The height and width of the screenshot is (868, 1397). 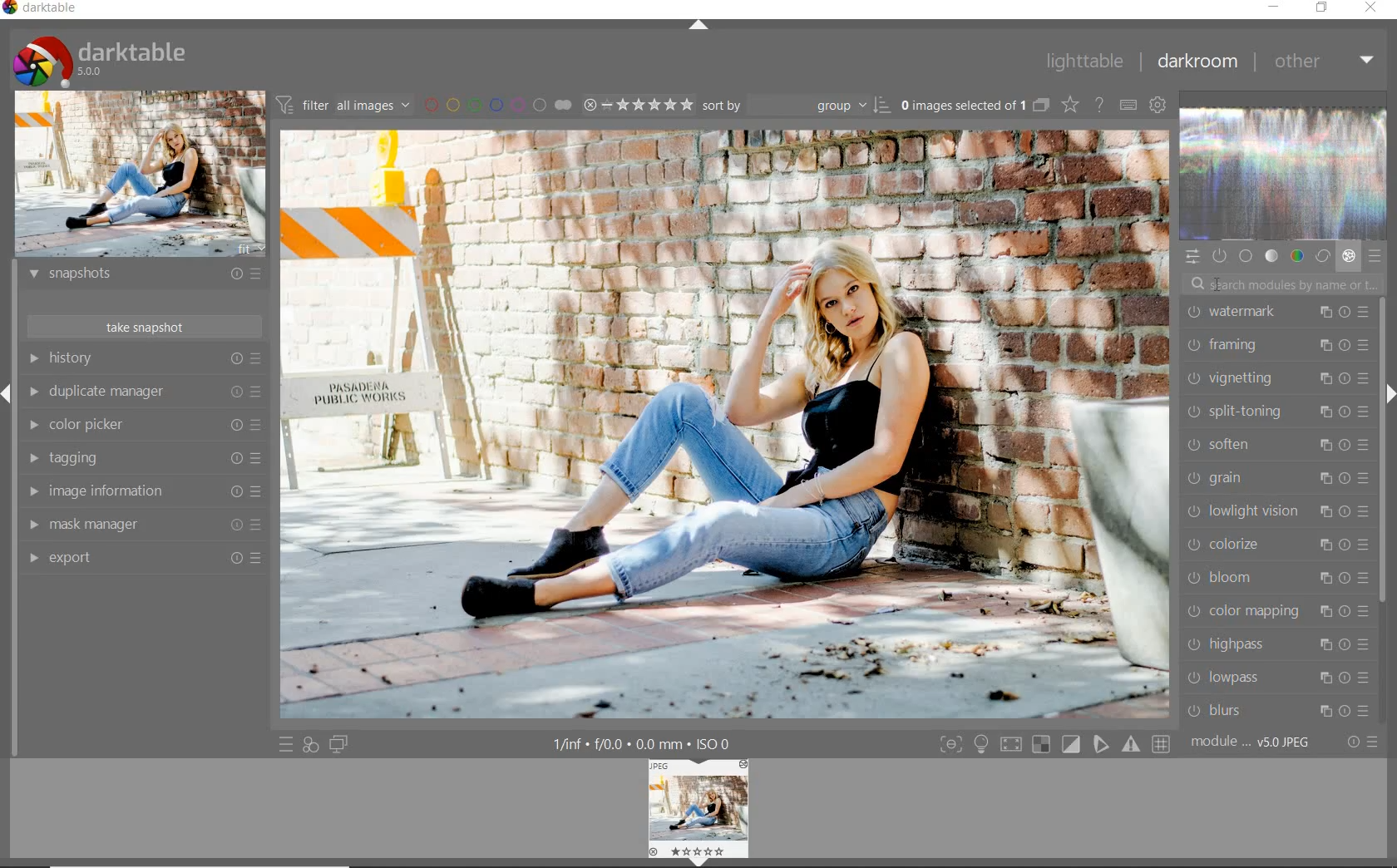 What do you see at coordinates (1052, 745) in the screenshot?
I see `toggle modes` at bounding box center [1052, 745].